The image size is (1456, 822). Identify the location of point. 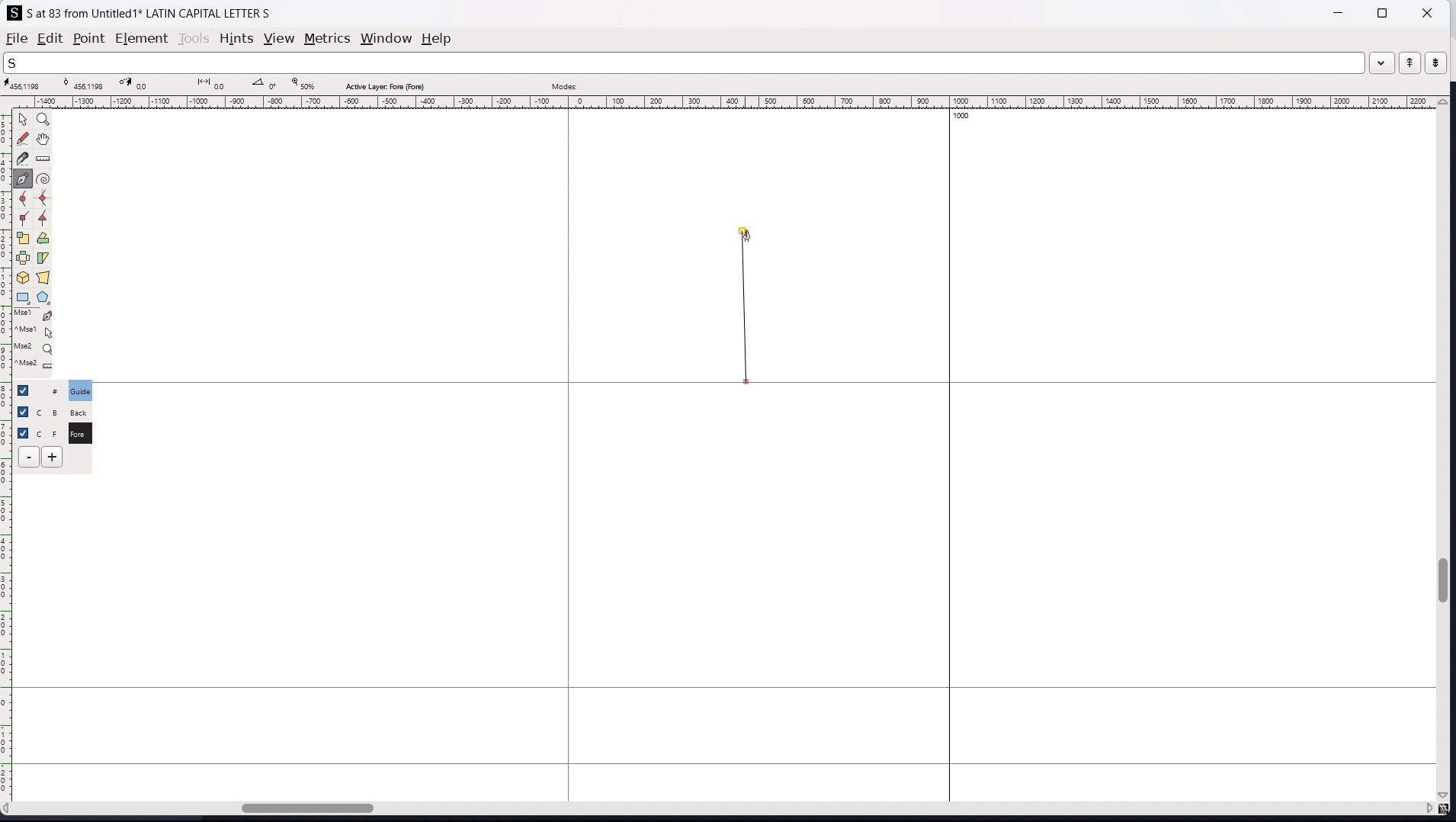
(88, 40).